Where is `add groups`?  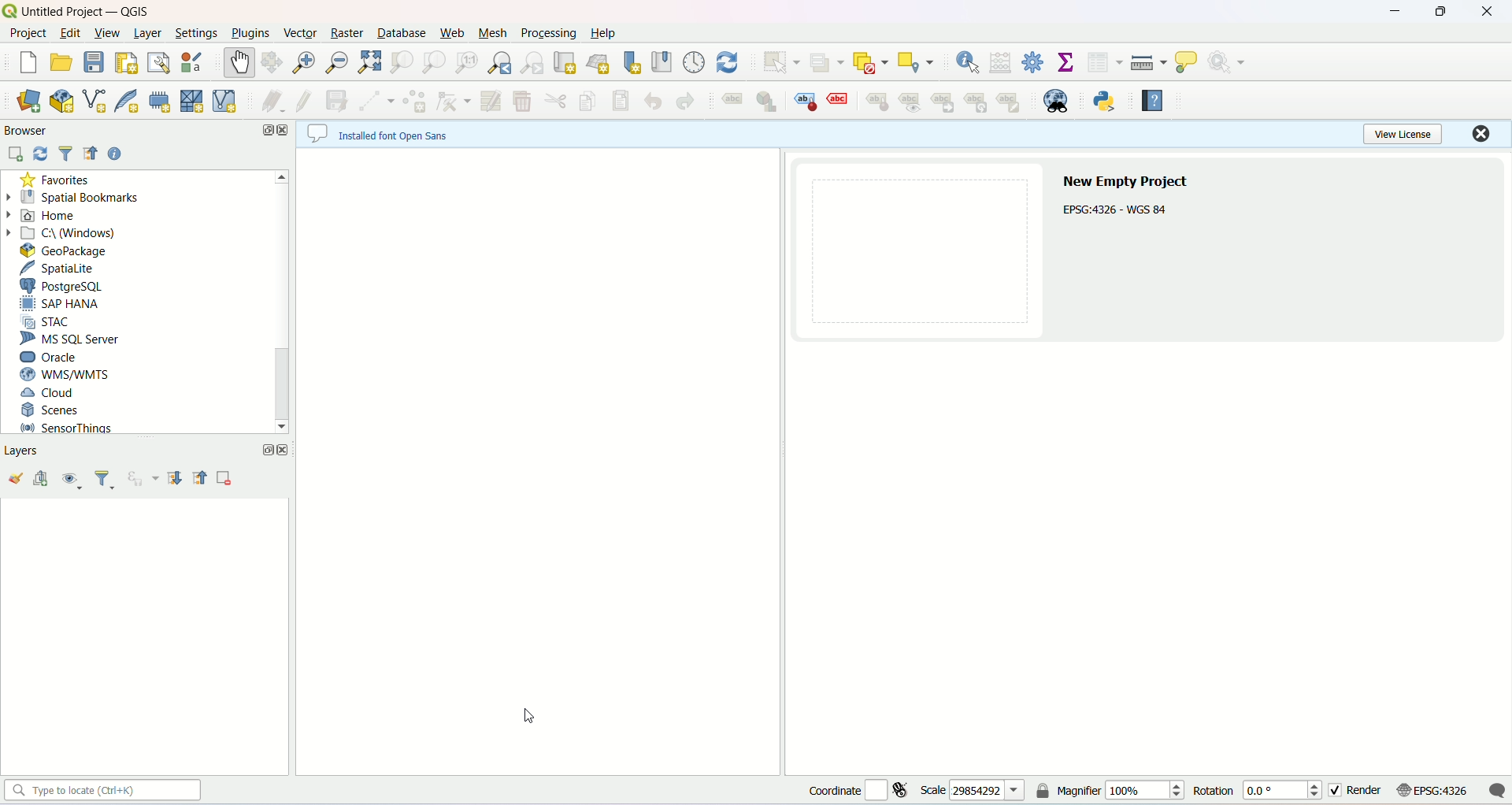 add groups is located at coordinates (42, 478).